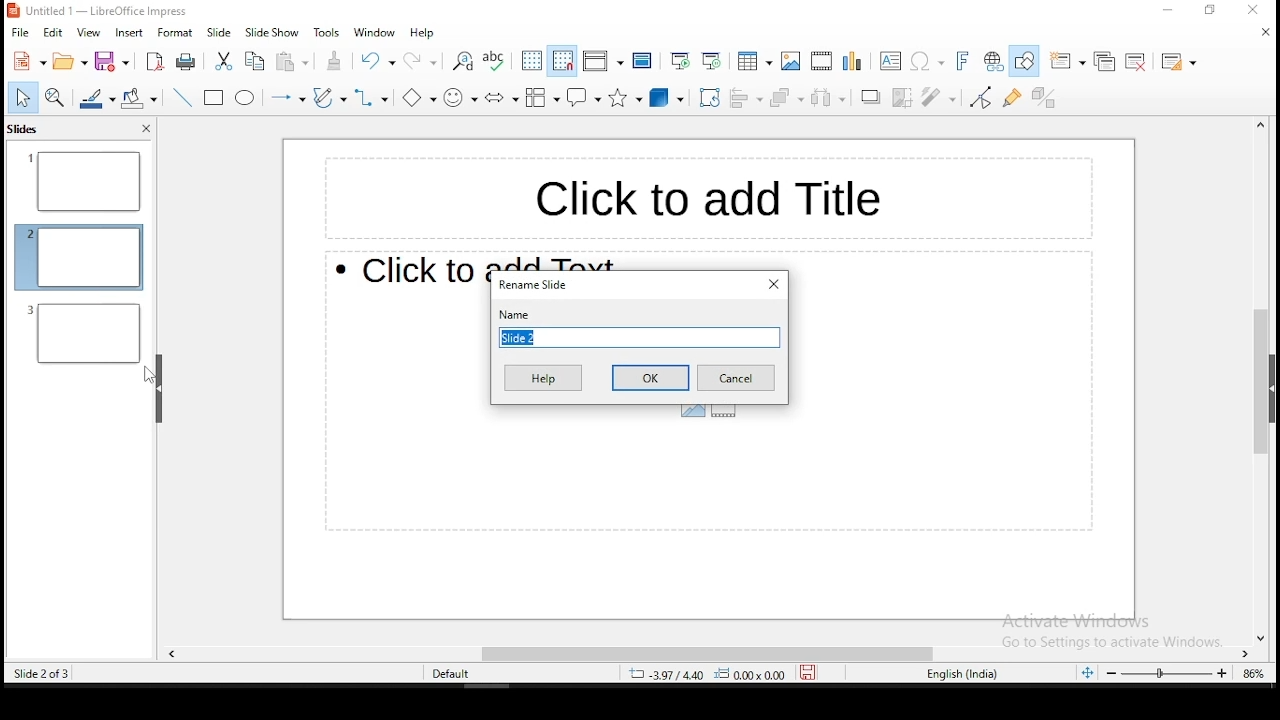 Image resolution: width=1280 pixels, height=720 pixels. What do you see at coordinates (1156, 14) in the screenshot?
I see `minimize` at bounding box center [1156, 14].